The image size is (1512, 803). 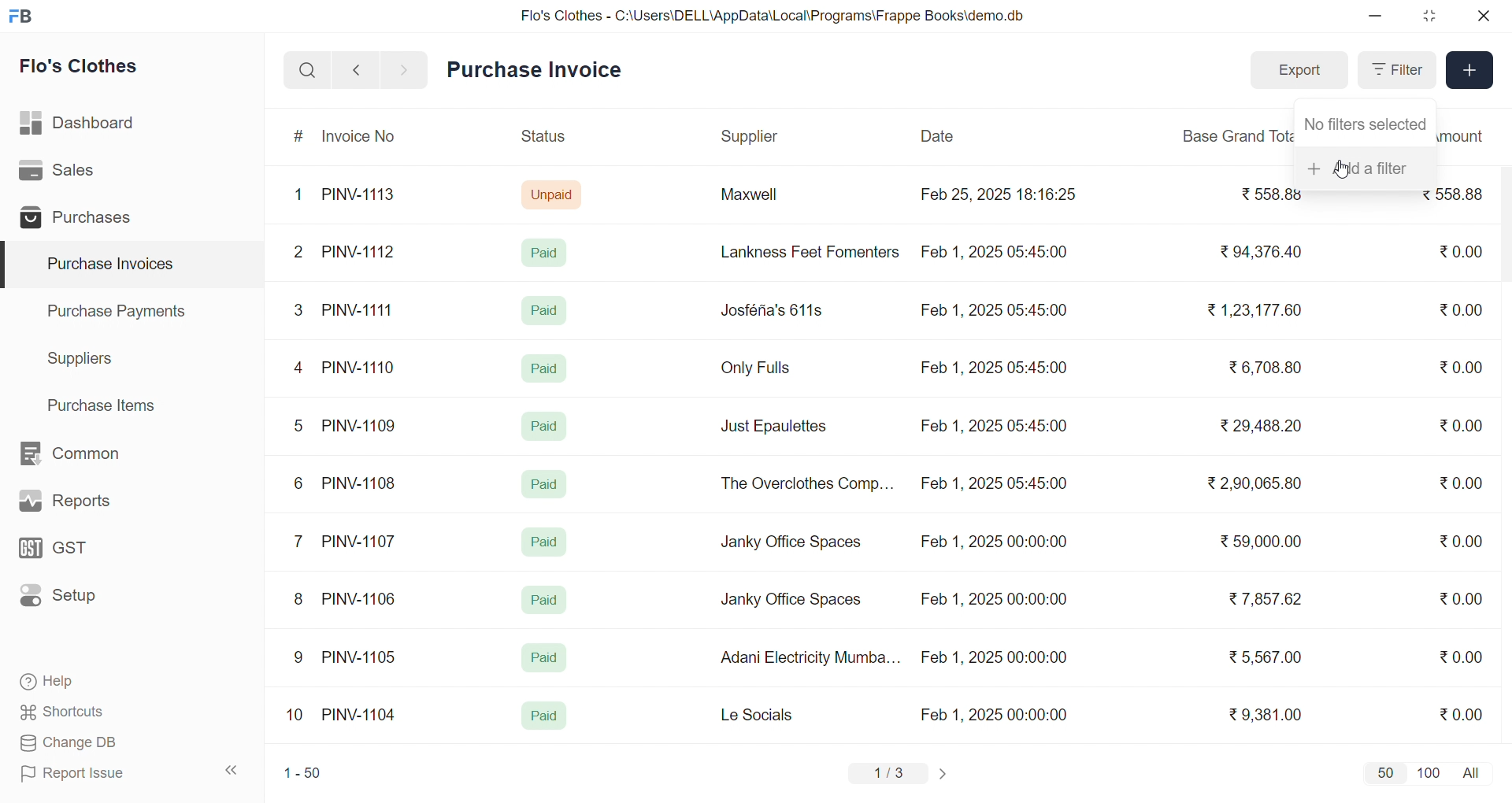 I want to click on Add, so click(x=1470, y=71).